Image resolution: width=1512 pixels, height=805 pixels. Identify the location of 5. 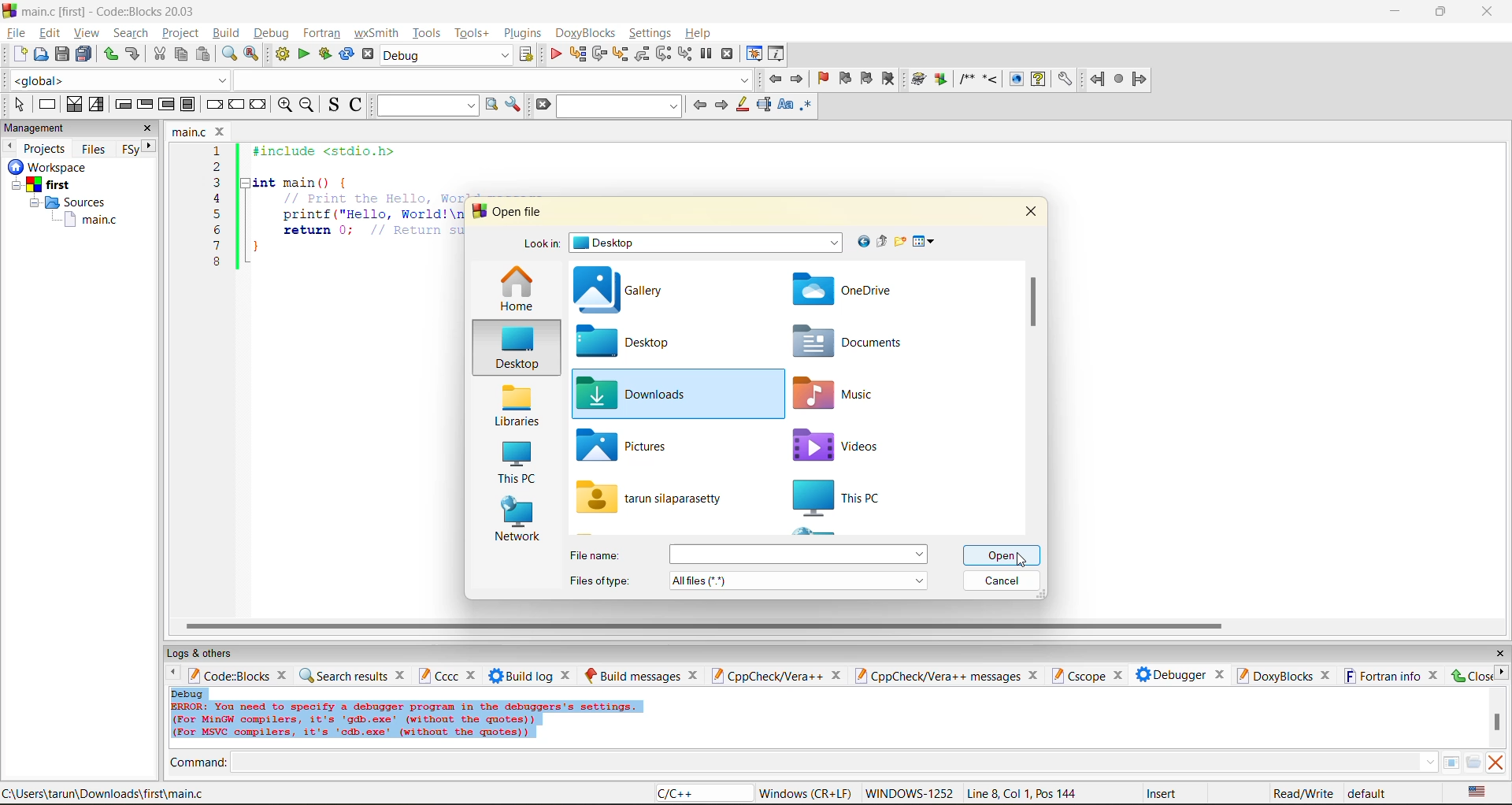
(217, 213).